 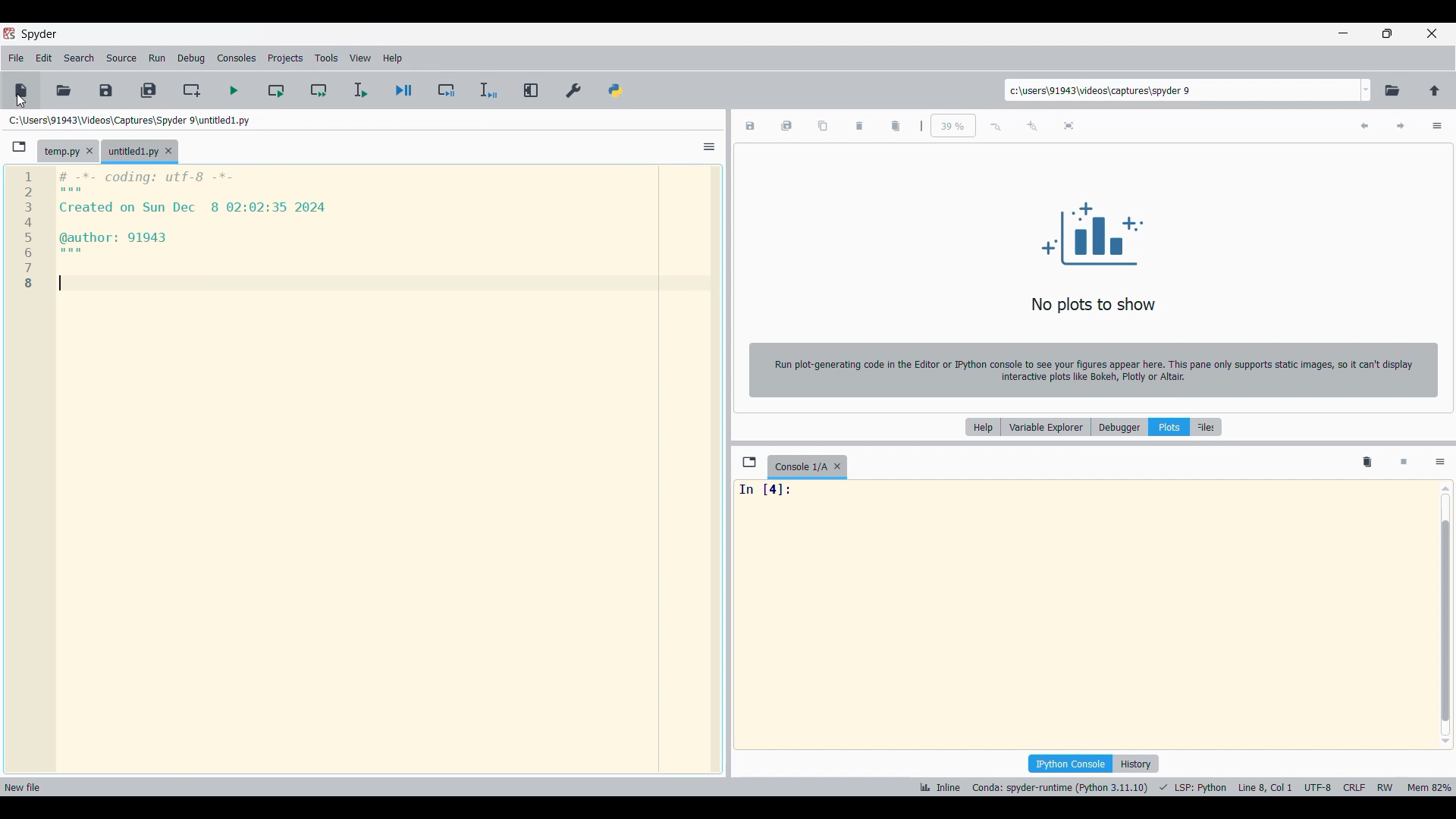 What do you see at coordinates (319, 91) in the screenshot?
I see `Run current cell and go to next one` at bounding box center [319, 91].